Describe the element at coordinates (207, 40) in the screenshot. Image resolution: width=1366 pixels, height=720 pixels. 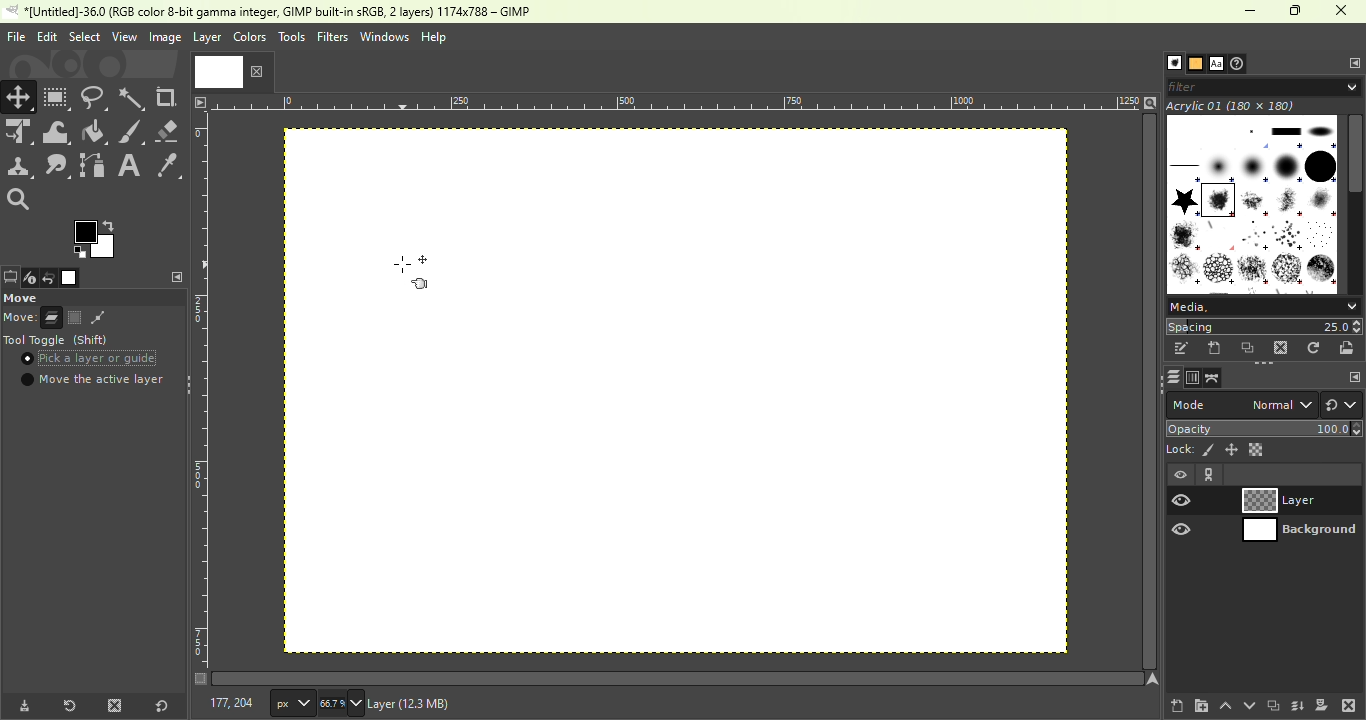
I see `layer` at that location.